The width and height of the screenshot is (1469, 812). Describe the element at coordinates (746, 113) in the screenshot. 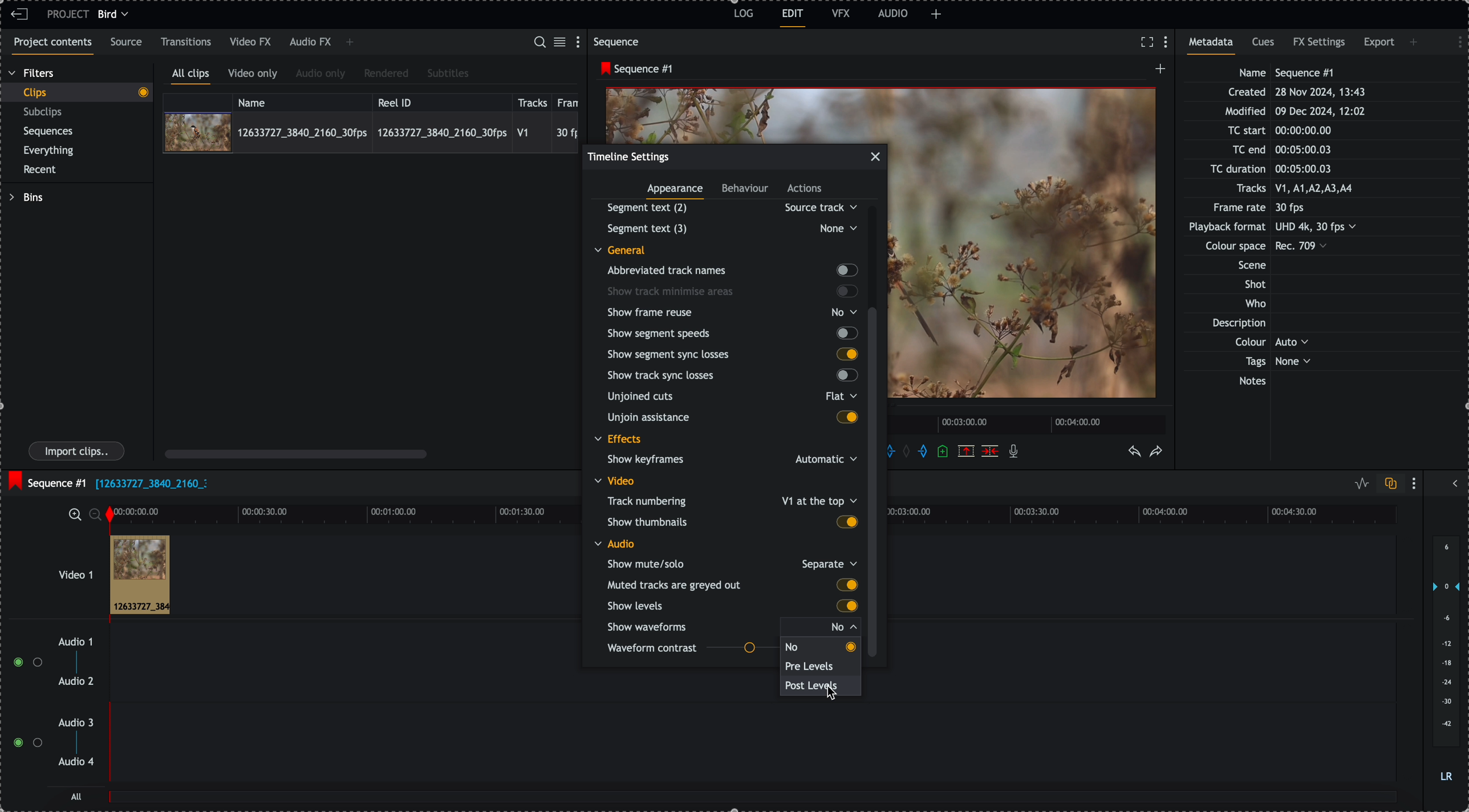

I see `video preview` at that location.